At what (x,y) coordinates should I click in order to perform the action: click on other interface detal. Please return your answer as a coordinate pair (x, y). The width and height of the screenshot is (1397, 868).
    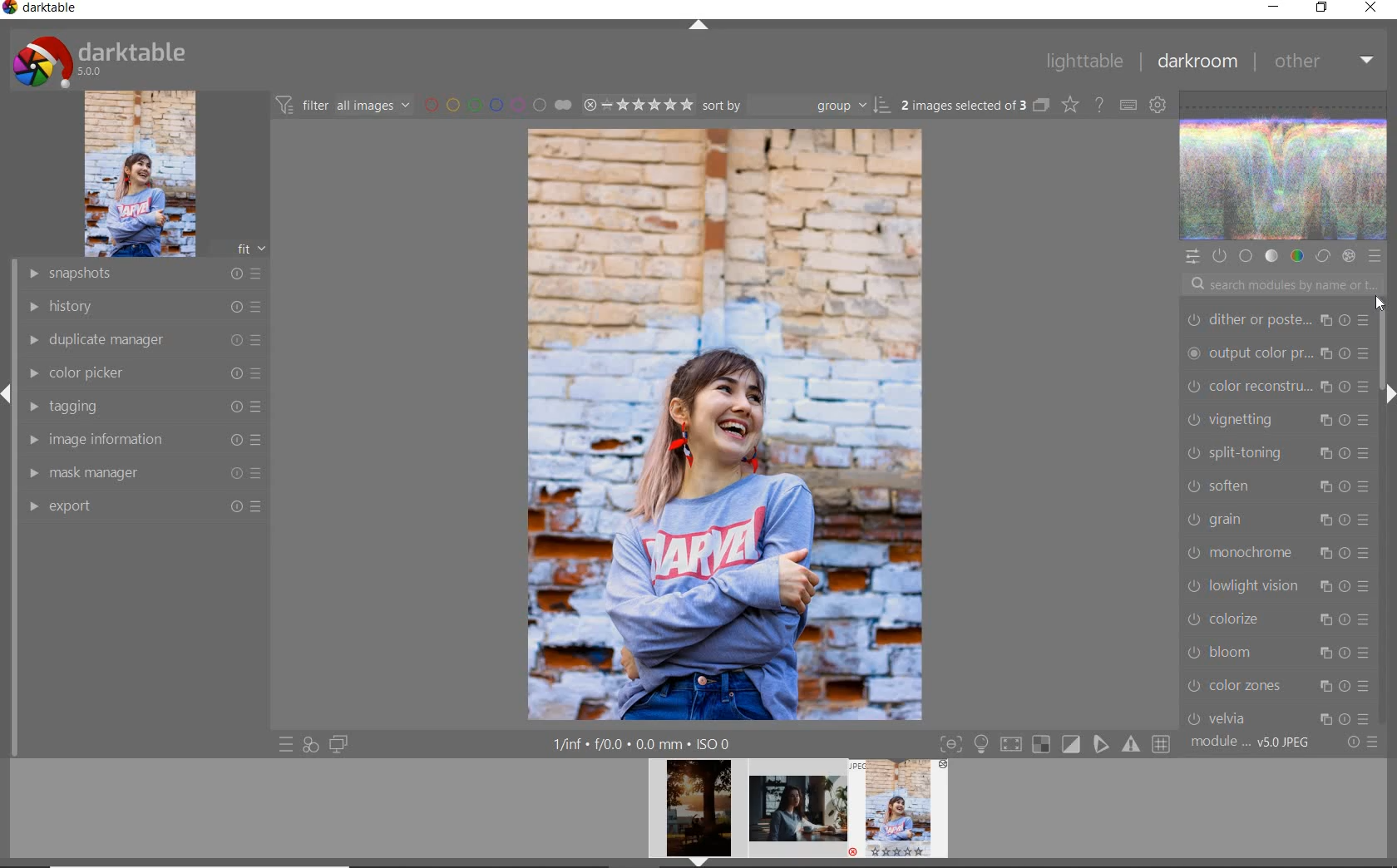
    Looking at the image, I should click on (644, 744).